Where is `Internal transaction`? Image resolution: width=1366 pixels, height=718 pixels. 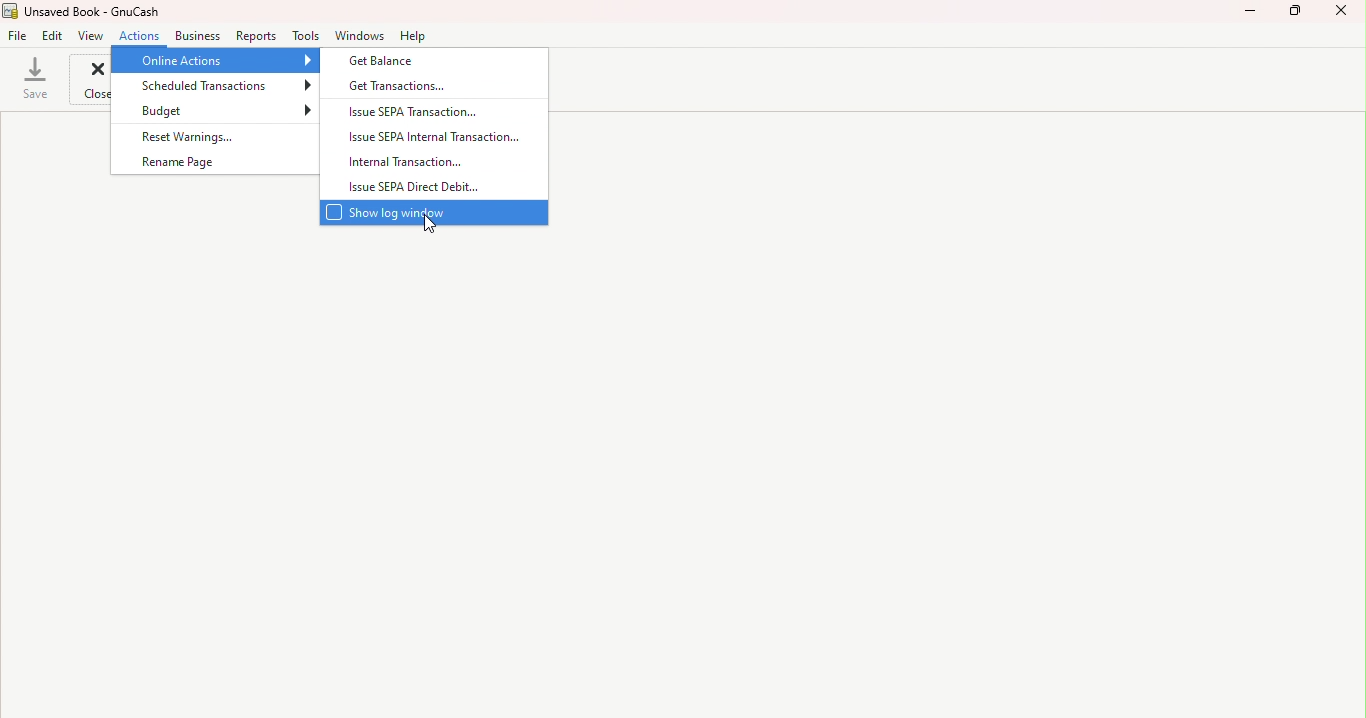 Internal transaction is located at coordinates (433, 162).